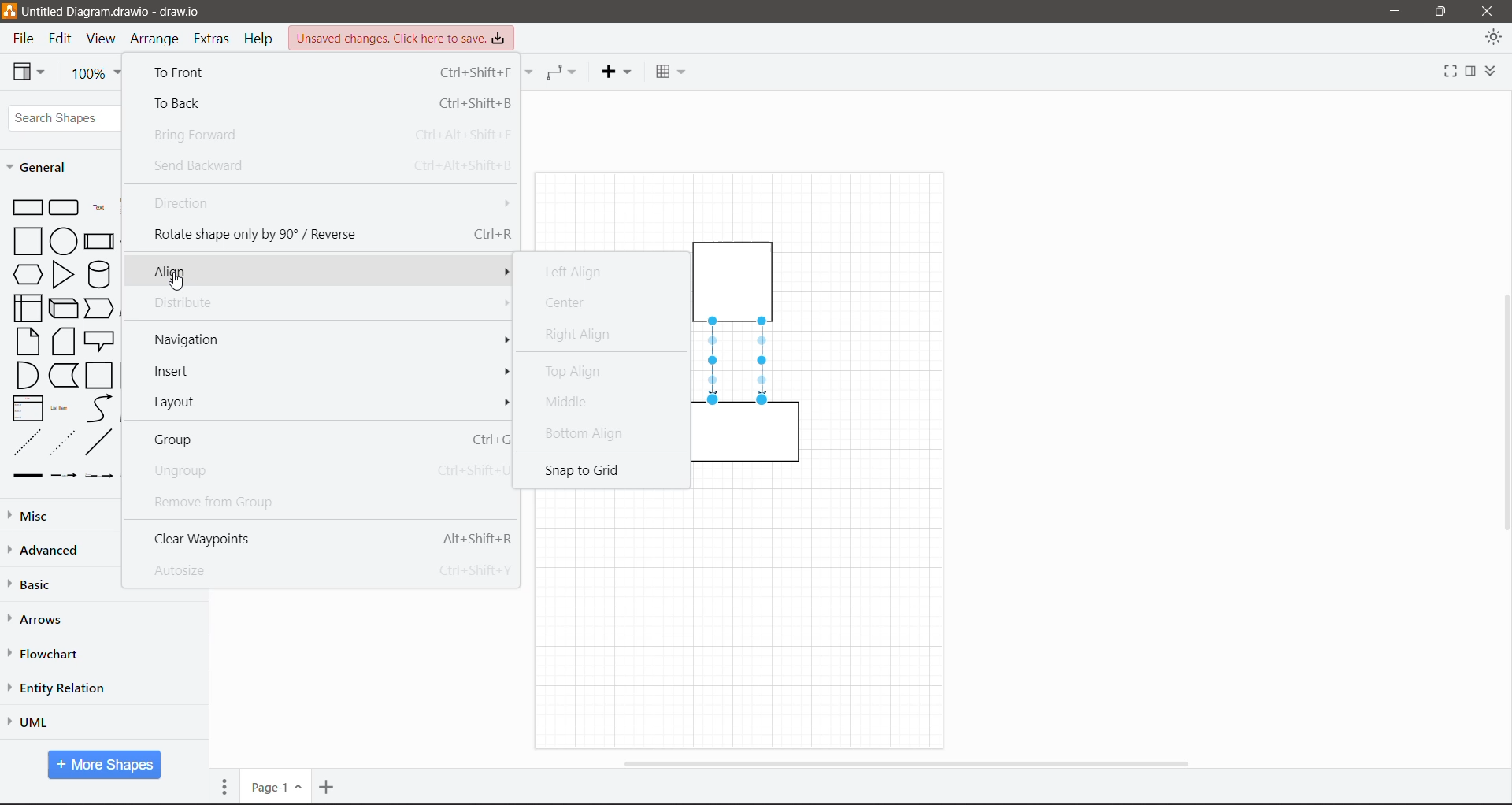  What do you see at coordinates (616, 72) in the screenshot?
I see `Insert` at bounding box center [616, 72].